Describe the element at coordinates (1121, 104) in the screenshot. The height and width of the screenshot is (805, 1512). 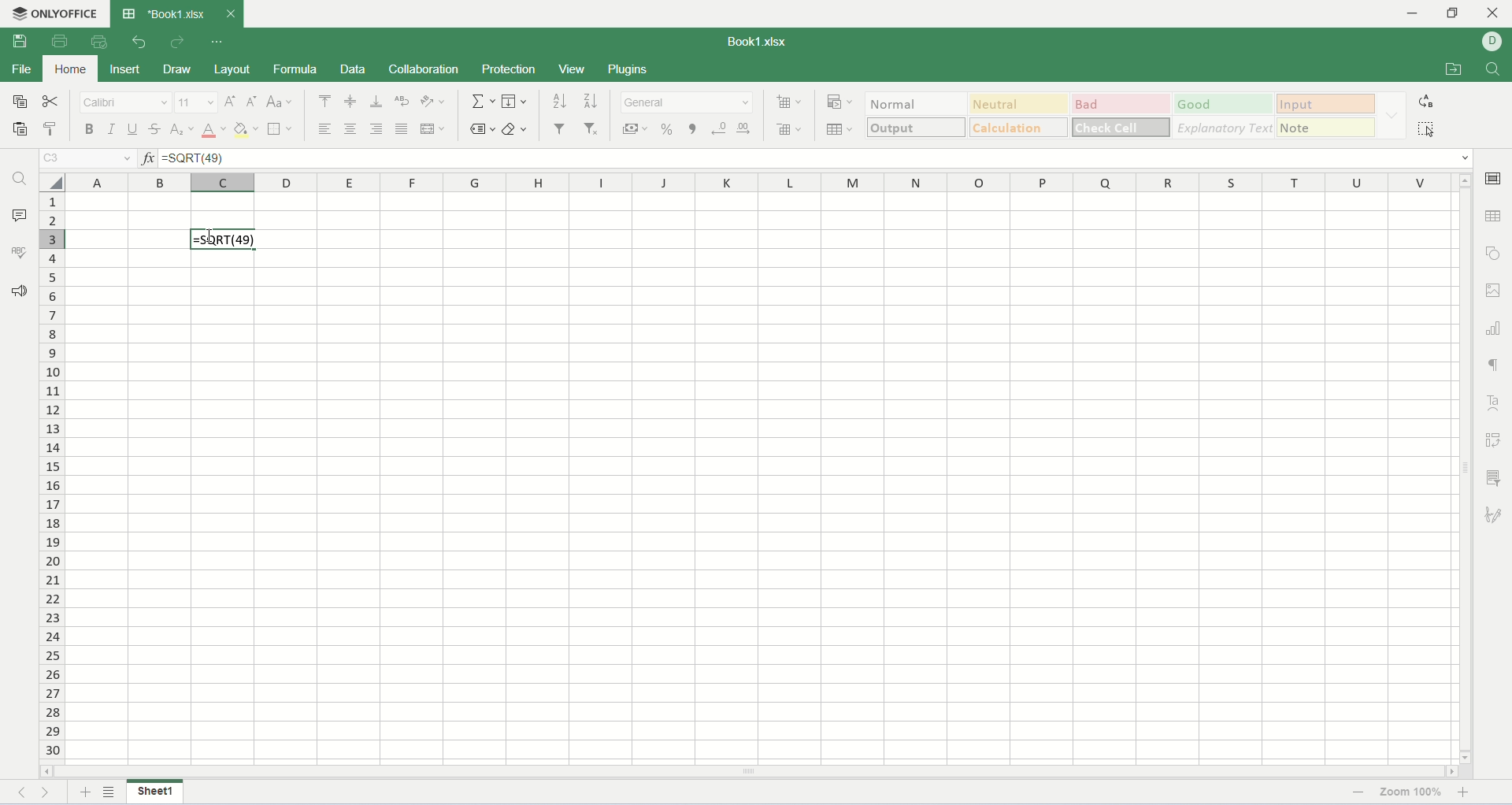
I see `bad` at that location.